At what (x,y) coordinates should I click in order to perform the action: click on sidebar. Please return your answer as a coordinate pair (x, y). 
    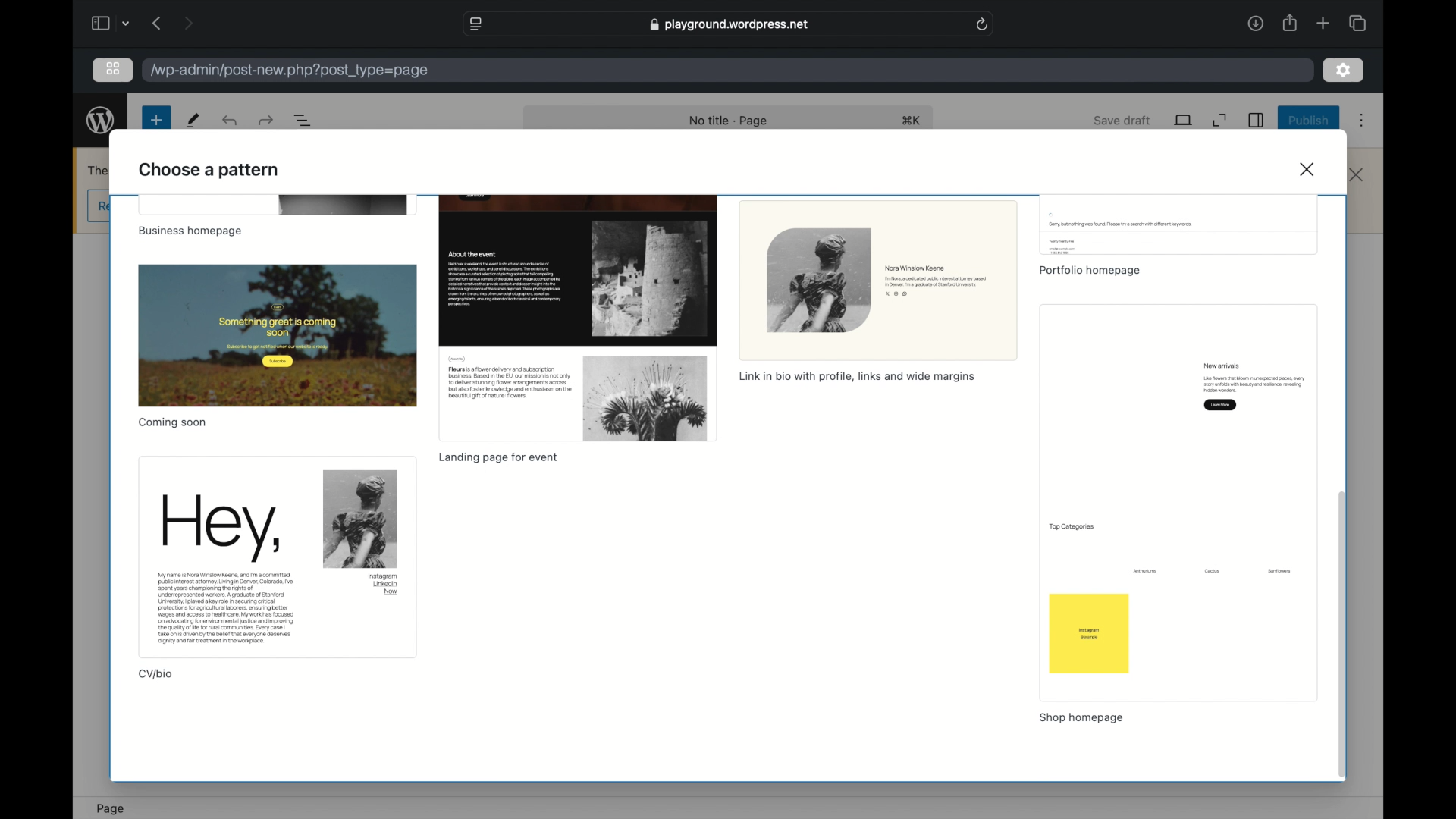
    Looking at the image, I should click on (99, 23).